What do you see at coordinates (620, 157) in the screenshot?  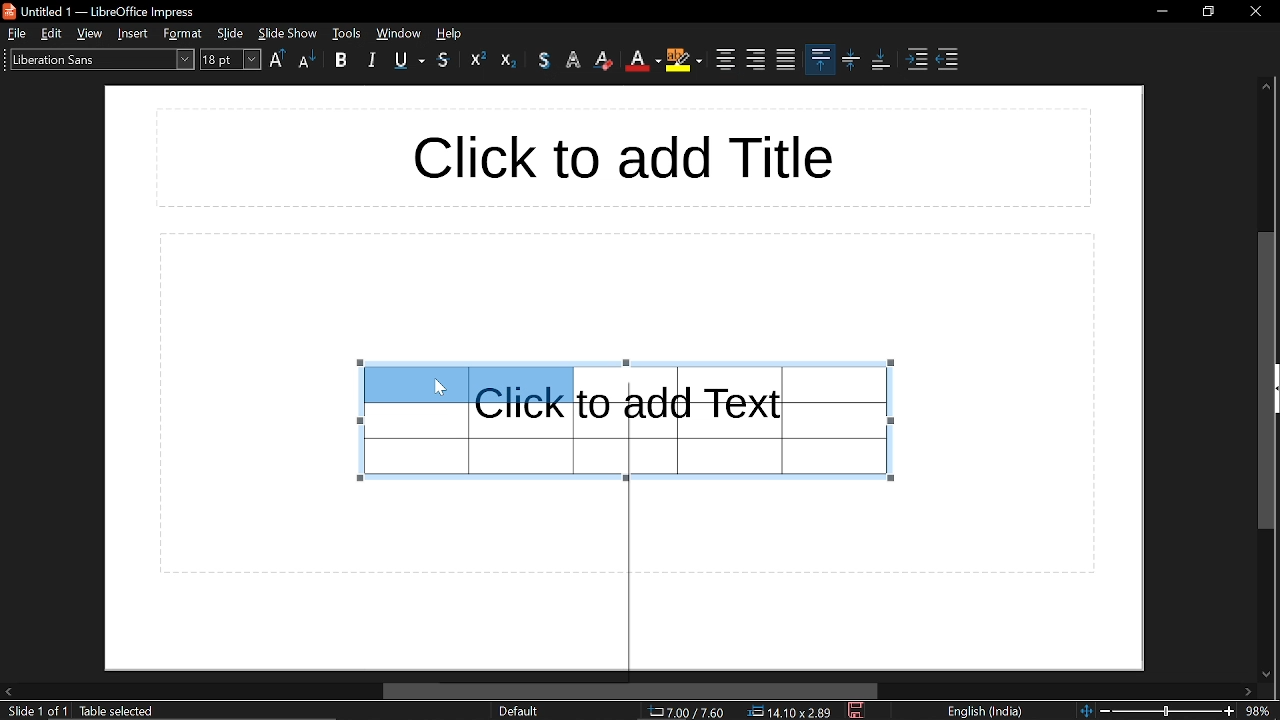 I see `title space` at bounding box center [620, 157].